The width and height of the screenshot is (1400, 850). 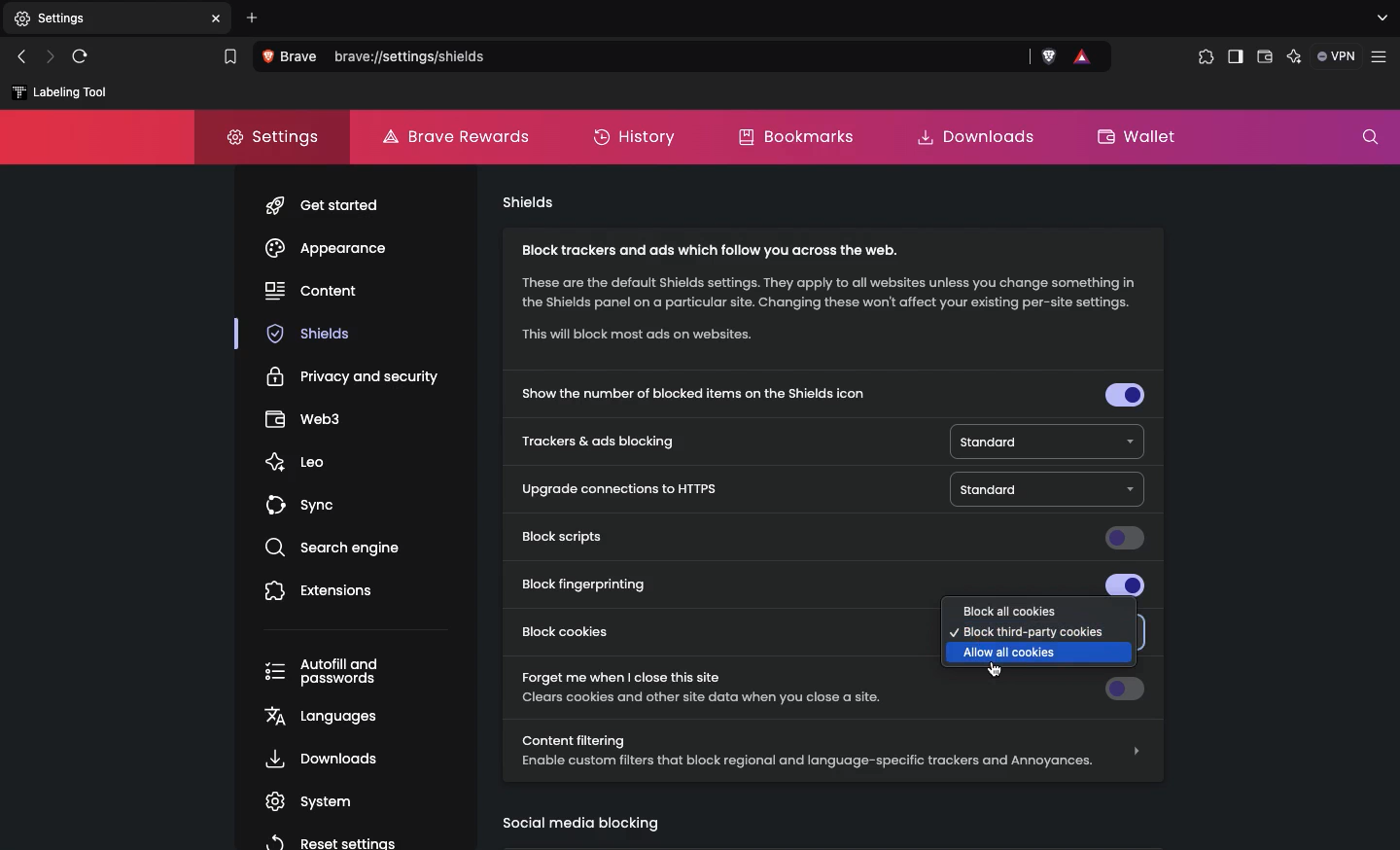 What do you see at coordinates (830, 397) in the screenshot?
I see `Show the number of blocked items on the shields icon` at bounding box center [830, 397].